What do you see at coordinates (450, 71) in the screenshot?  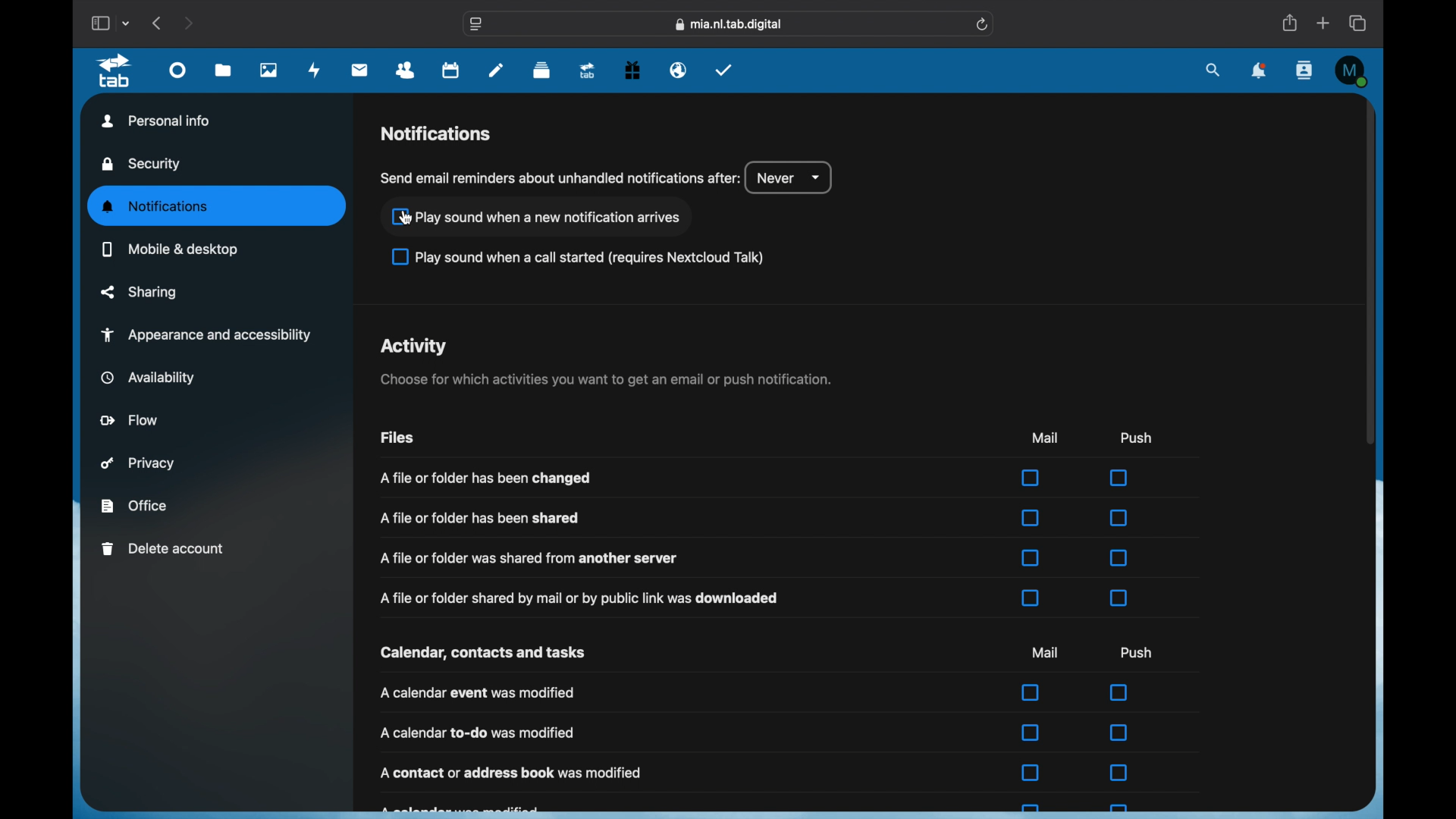 I see `calendar` at bounding box center [450, 71].